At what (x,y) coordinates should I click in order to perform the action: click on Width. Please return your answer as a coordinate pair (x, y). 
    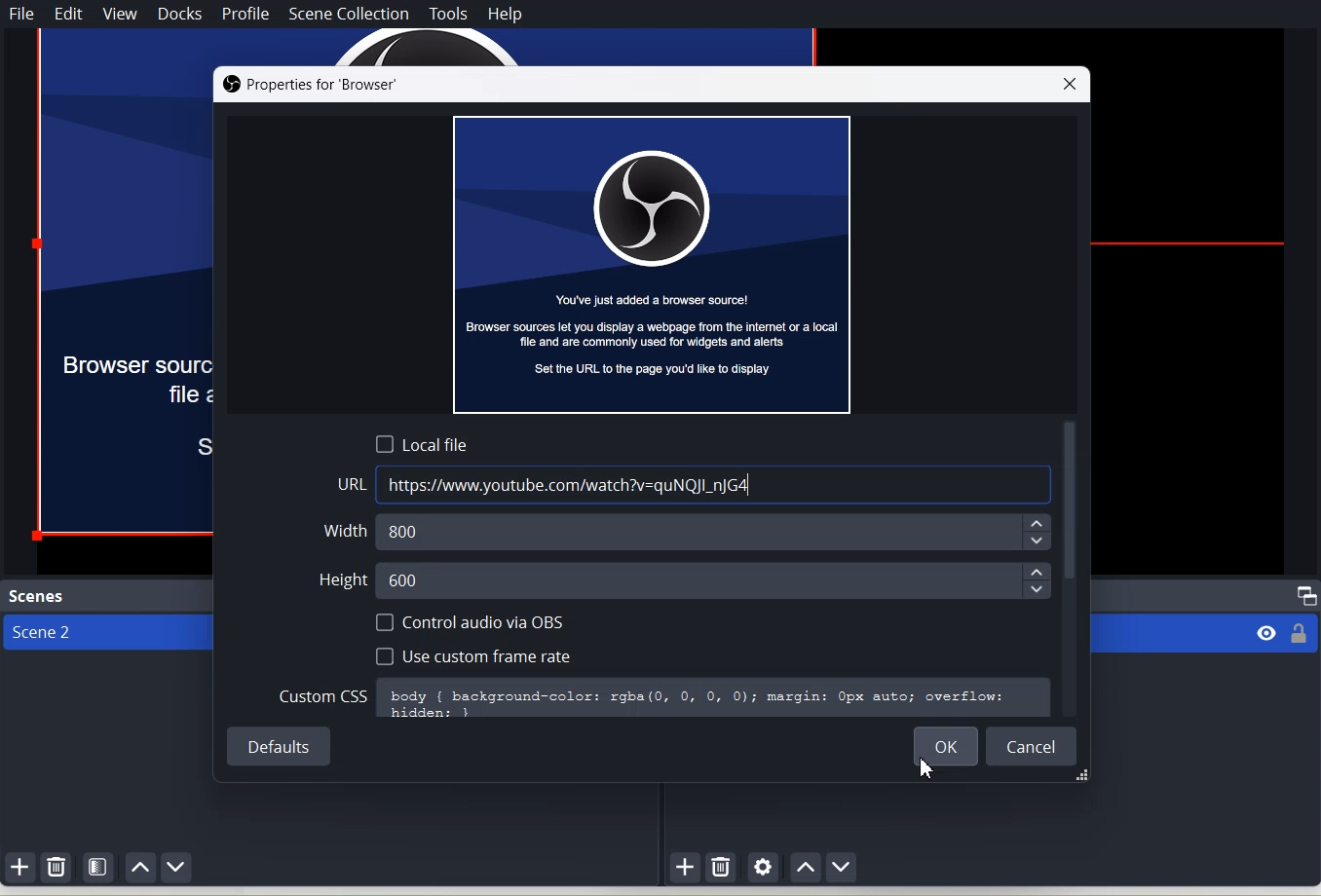
    Looking at the image, I should click on (340, 532).